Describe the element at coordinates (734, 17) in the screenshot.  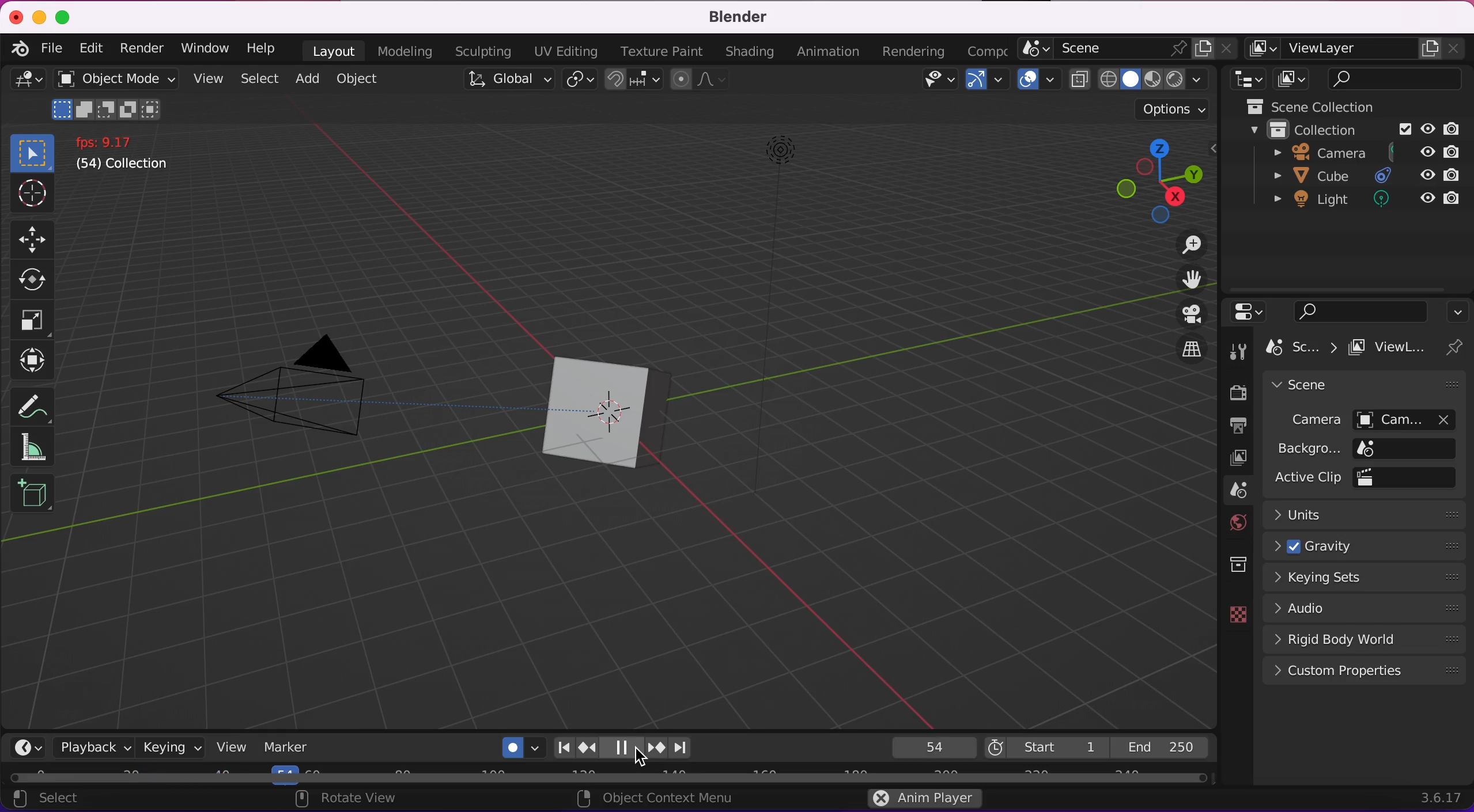
I see `blender` at that location.